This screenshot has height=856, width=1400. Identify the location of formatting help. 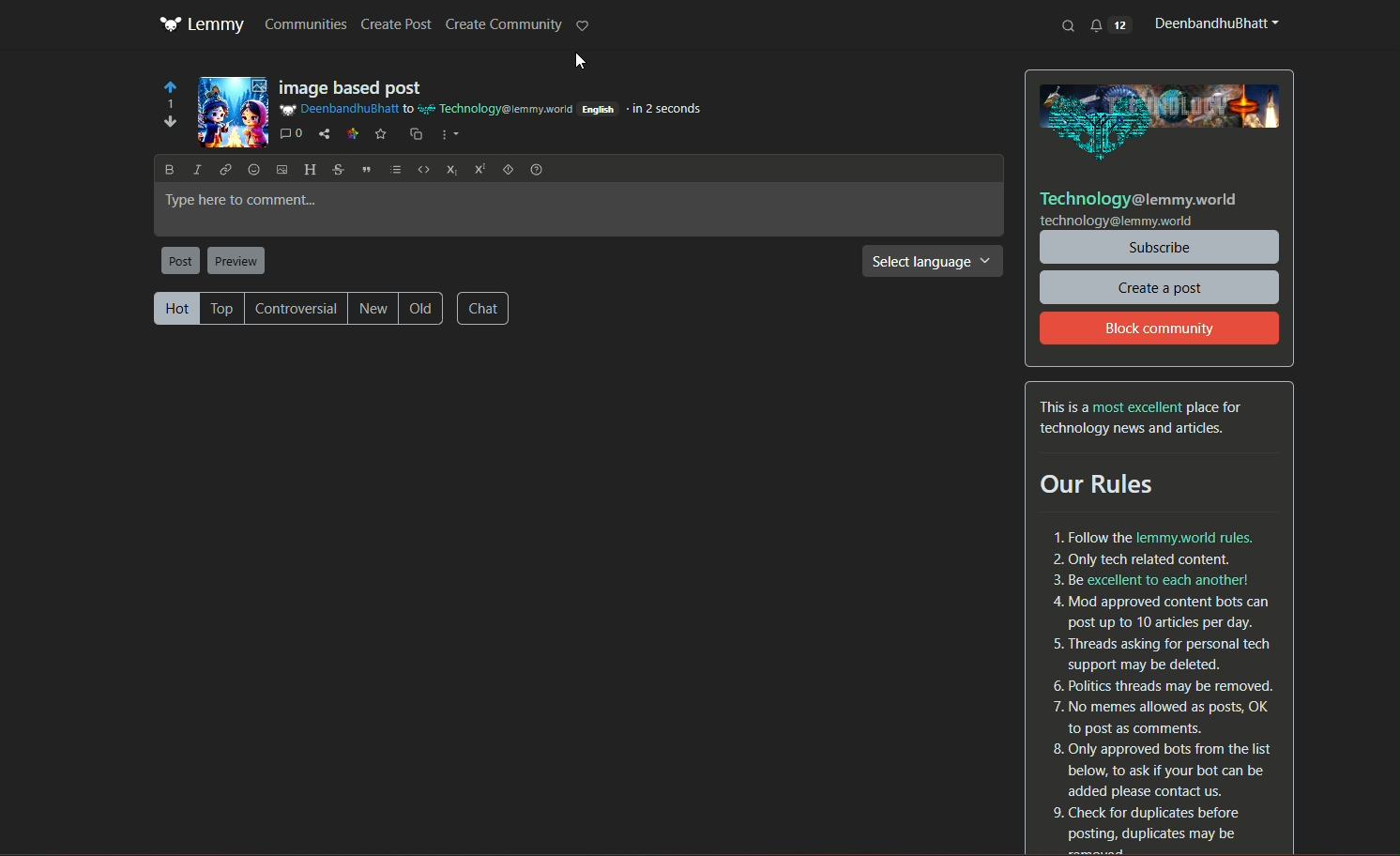
(535, 168).